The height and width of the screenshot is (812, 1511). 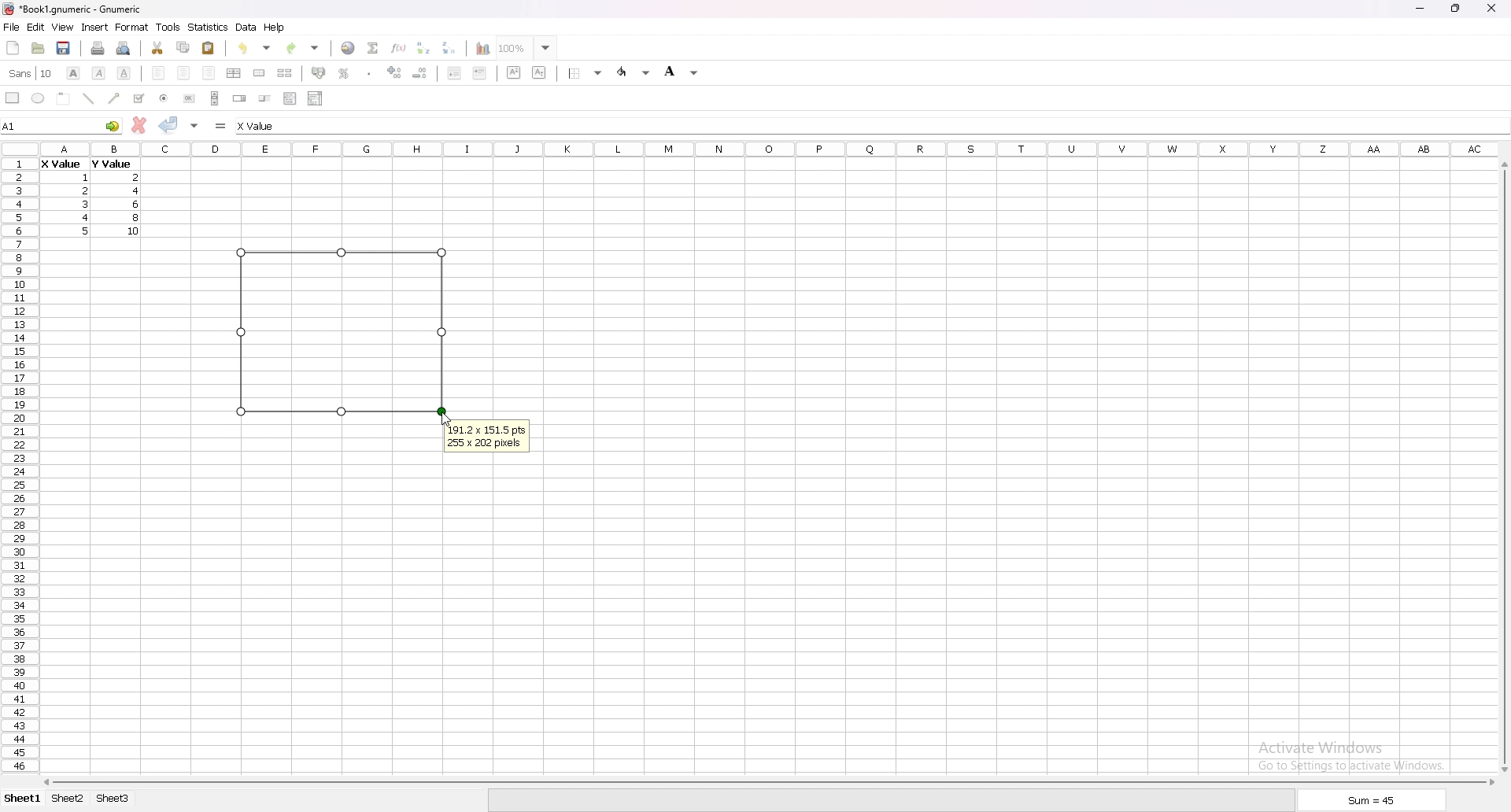 What do you see at coordinates (266, 98) in the screenshot?
I see `slider` at bounding box center [266, 98].